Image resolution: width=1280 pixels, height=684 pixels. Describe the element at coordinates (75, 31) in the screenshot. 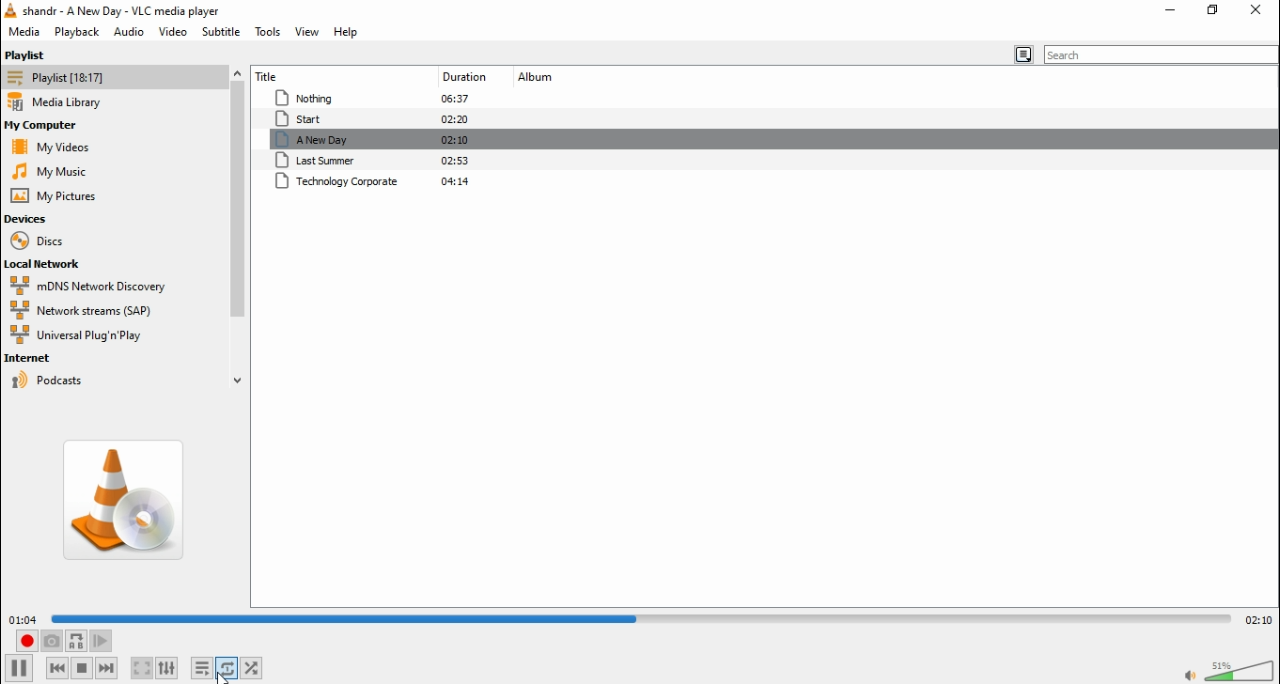

I see `playback` at that location.